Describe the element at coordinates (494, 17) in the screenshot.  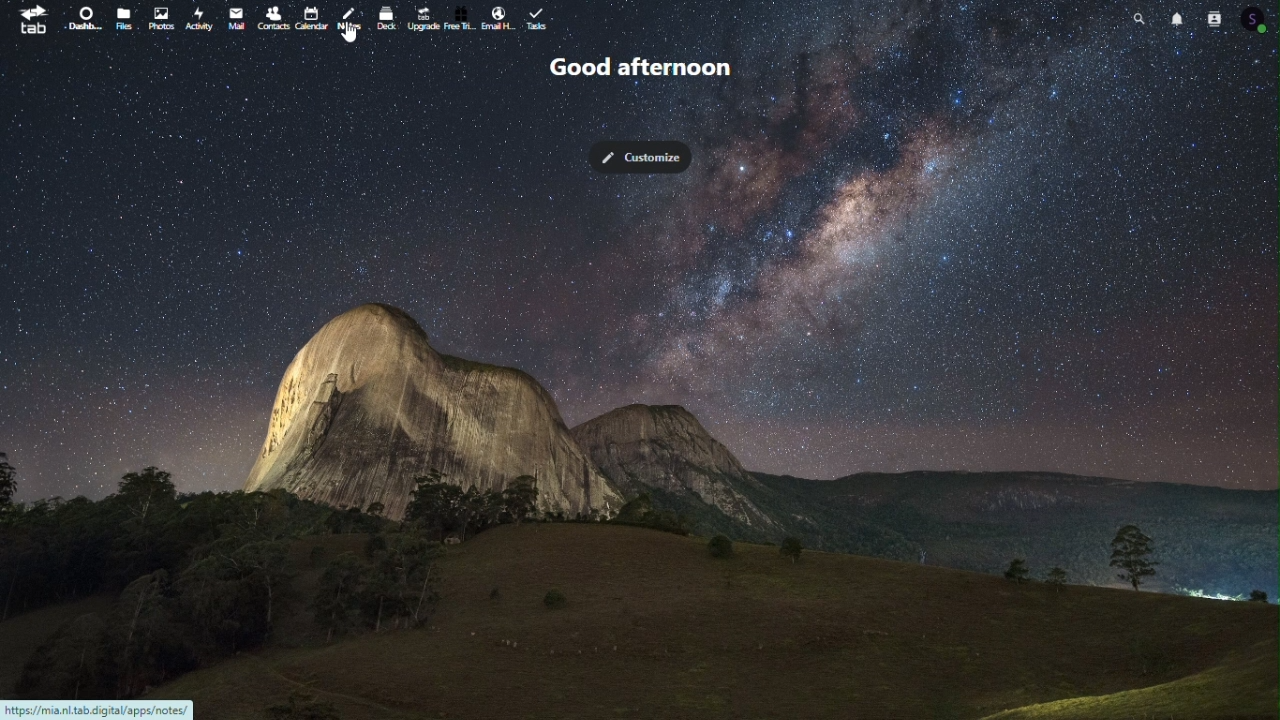
I see `email handling` at that location.